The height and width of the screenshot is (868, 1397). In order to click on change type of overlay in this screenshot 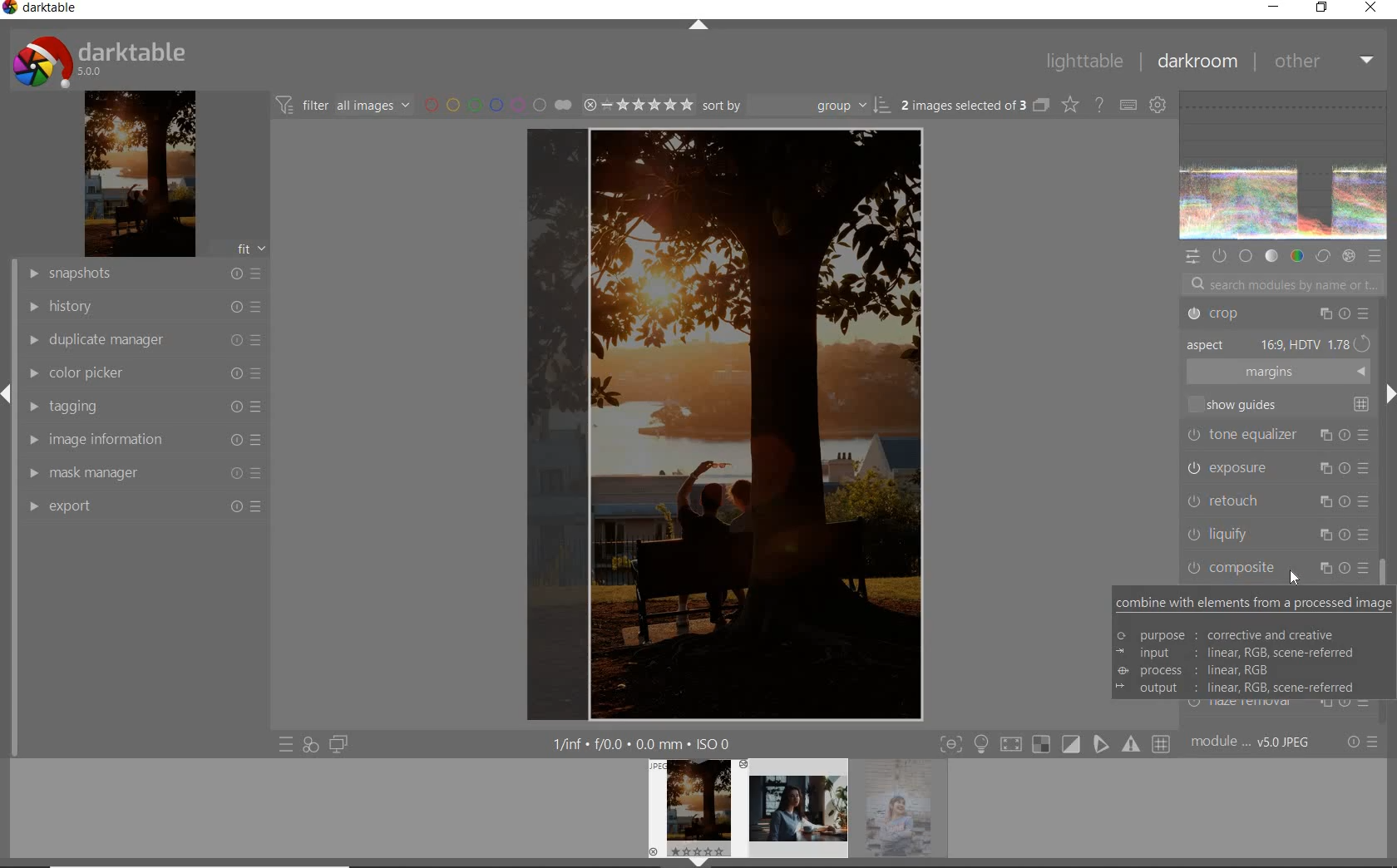, I will do `click(1069, 104)`.